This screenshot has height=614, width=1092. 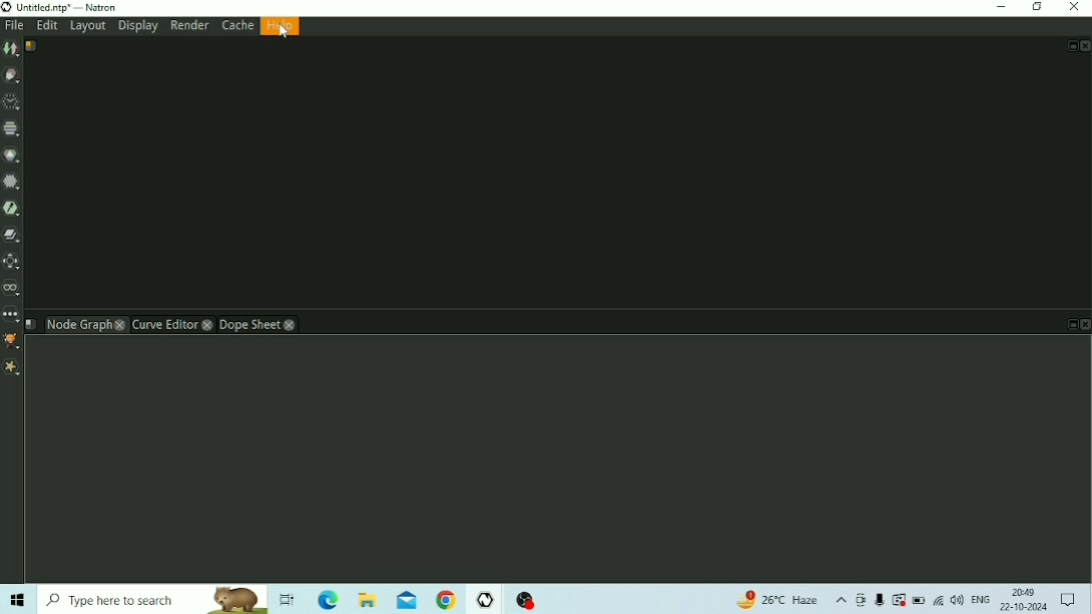 I want to click on Mail, so click(x=407, y=599).